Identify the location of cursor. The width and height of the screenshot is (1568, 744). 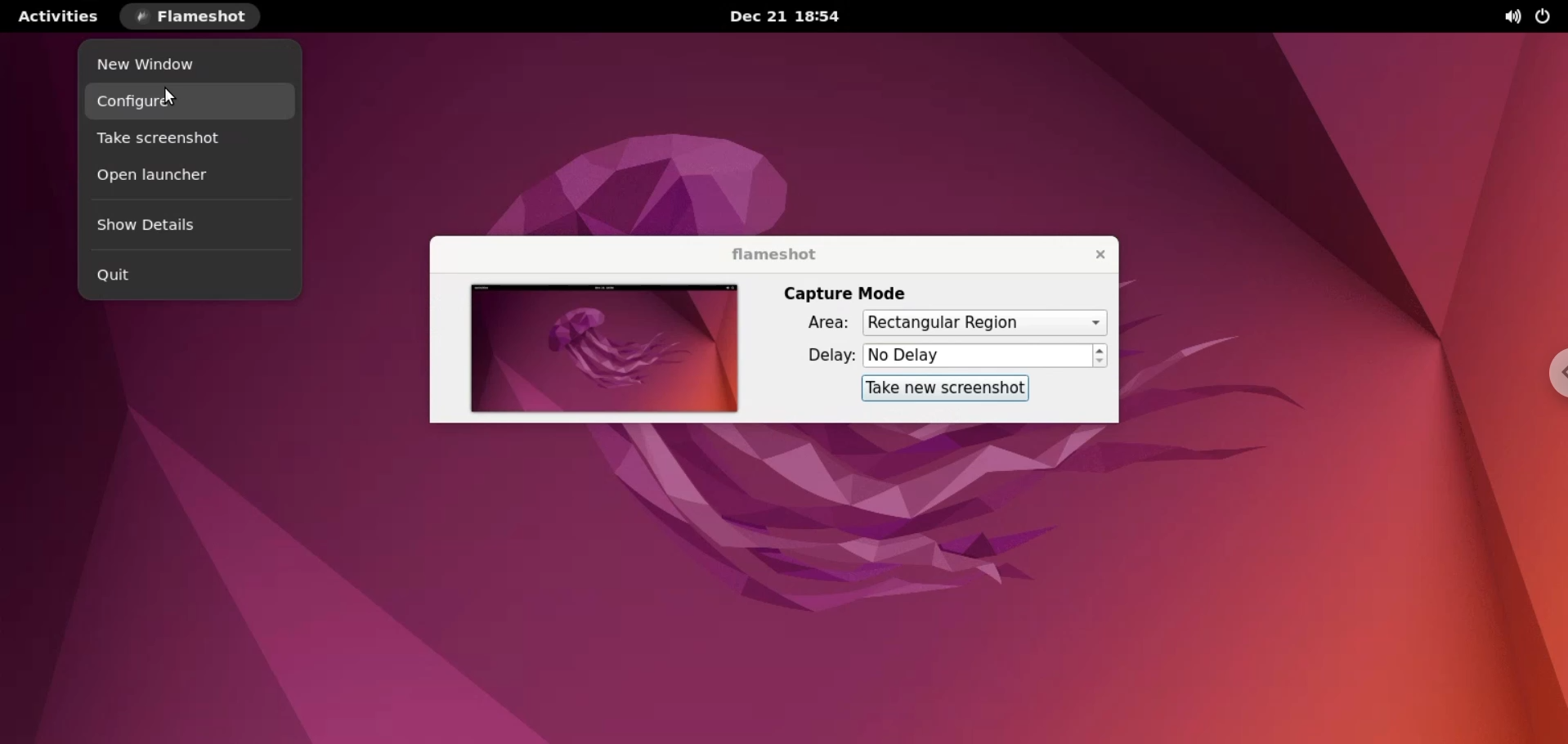
(175, 96).